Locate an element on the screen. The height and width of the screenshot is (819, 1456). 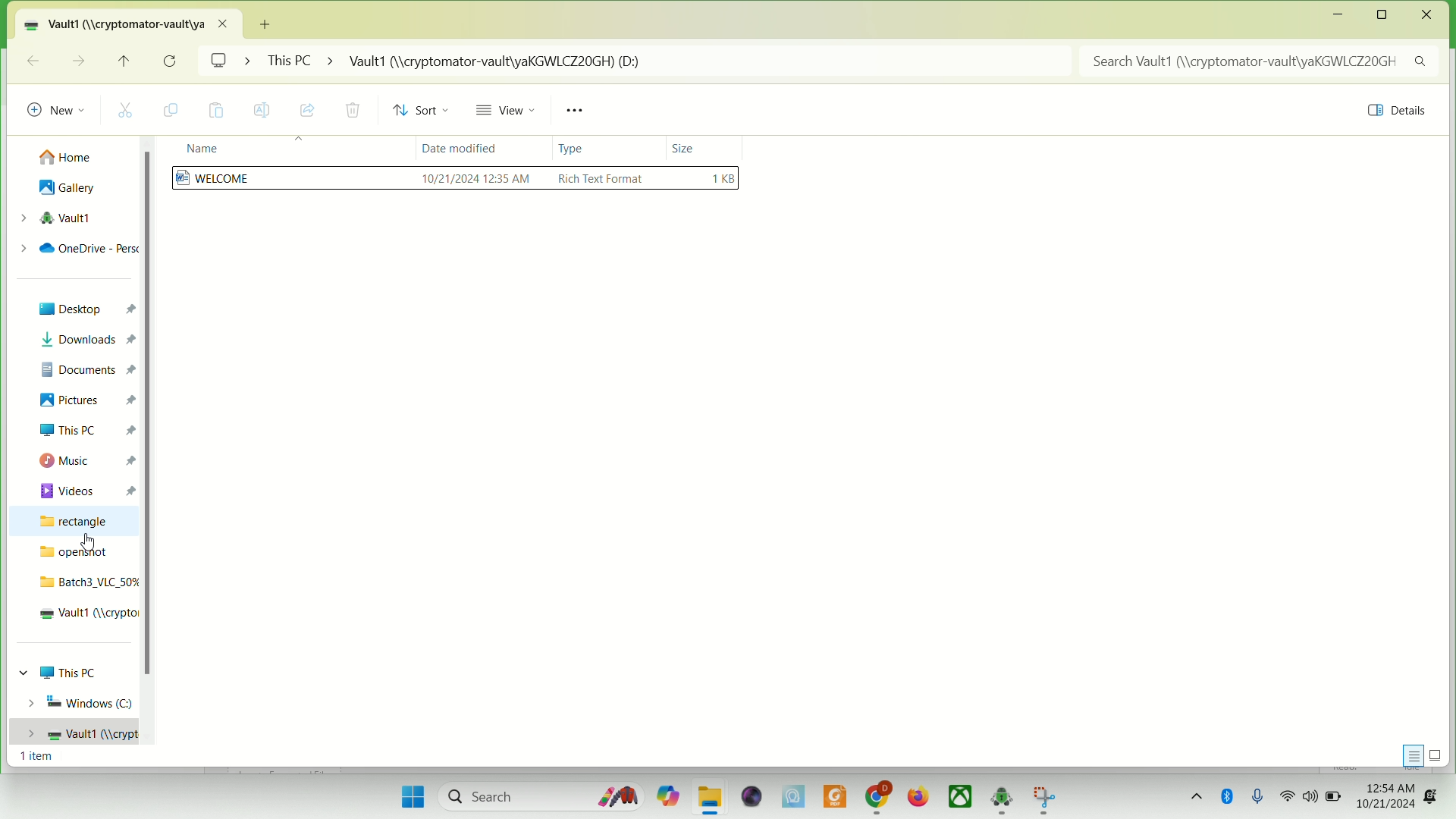
documents is located at coordinates (86, 367).